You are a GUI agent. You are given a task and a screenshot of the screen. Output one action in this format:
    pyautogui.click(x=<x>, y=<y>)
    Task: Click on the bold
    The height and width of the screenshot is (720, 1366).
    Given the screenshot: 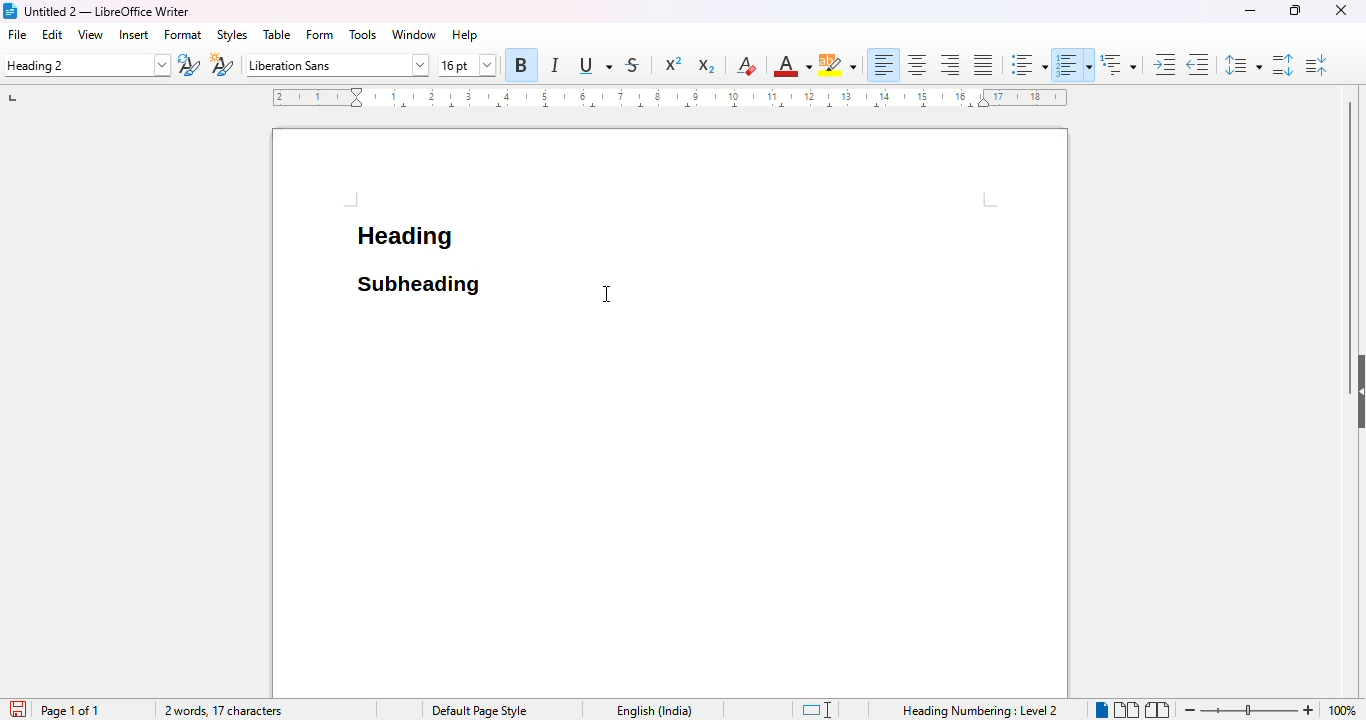 What is the action you would take?
    pyautogui.click(x=521, y=65)
    